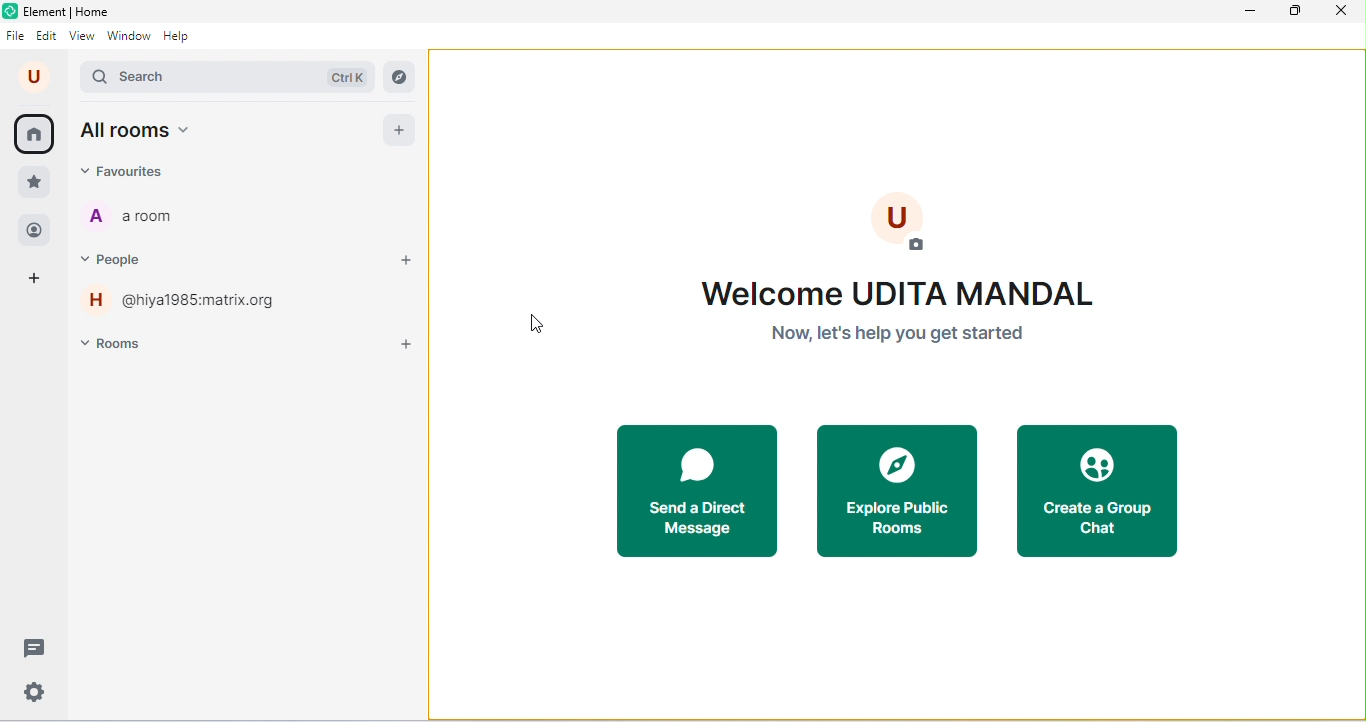 Image resolution: width=1366 pixels, height=722 pixels. Describe the element at coordinates (406, 261) in the screenshot. I see `start a chat` at that location.